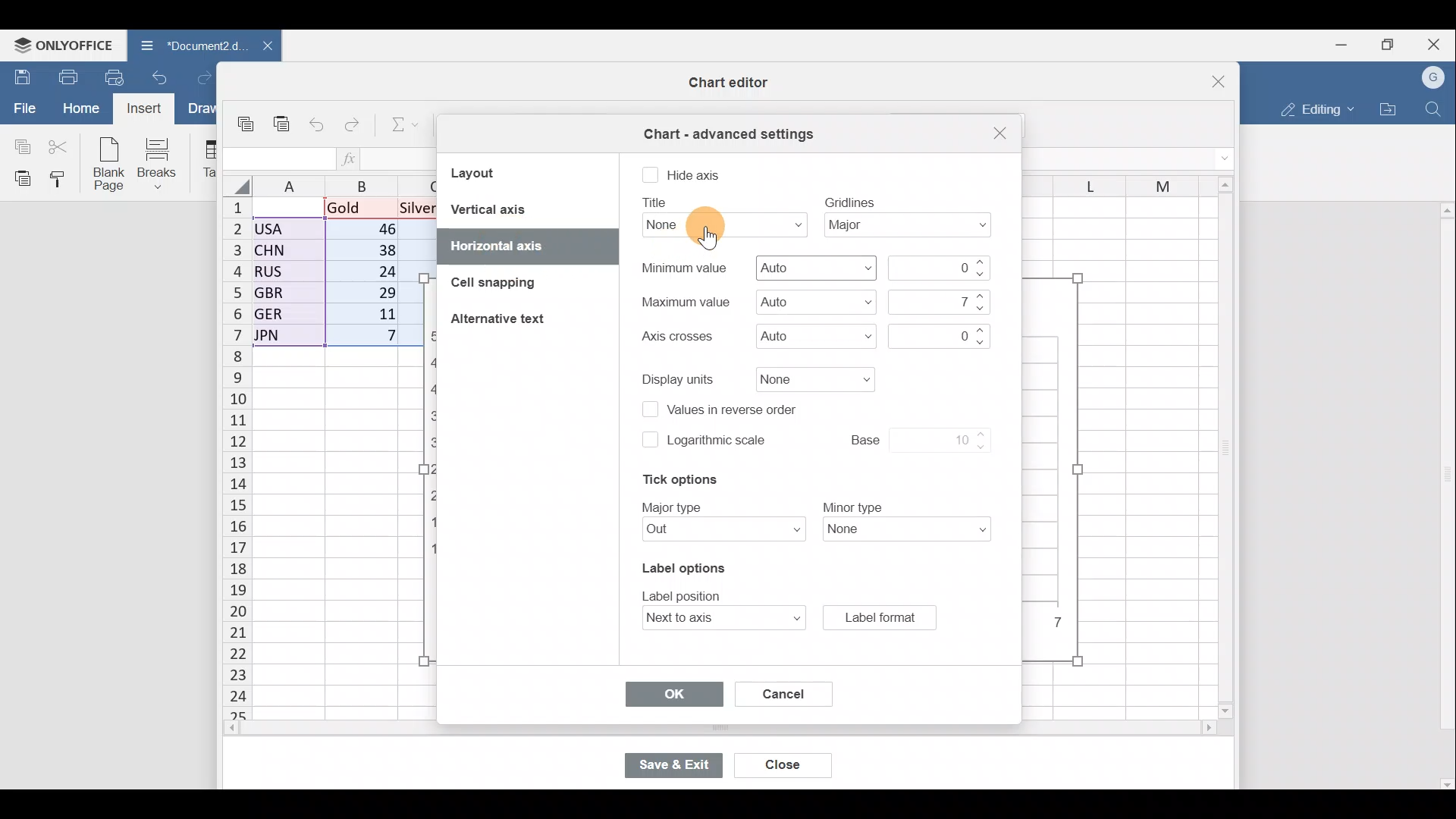  I want to click on Tick options, so click(673, 480).